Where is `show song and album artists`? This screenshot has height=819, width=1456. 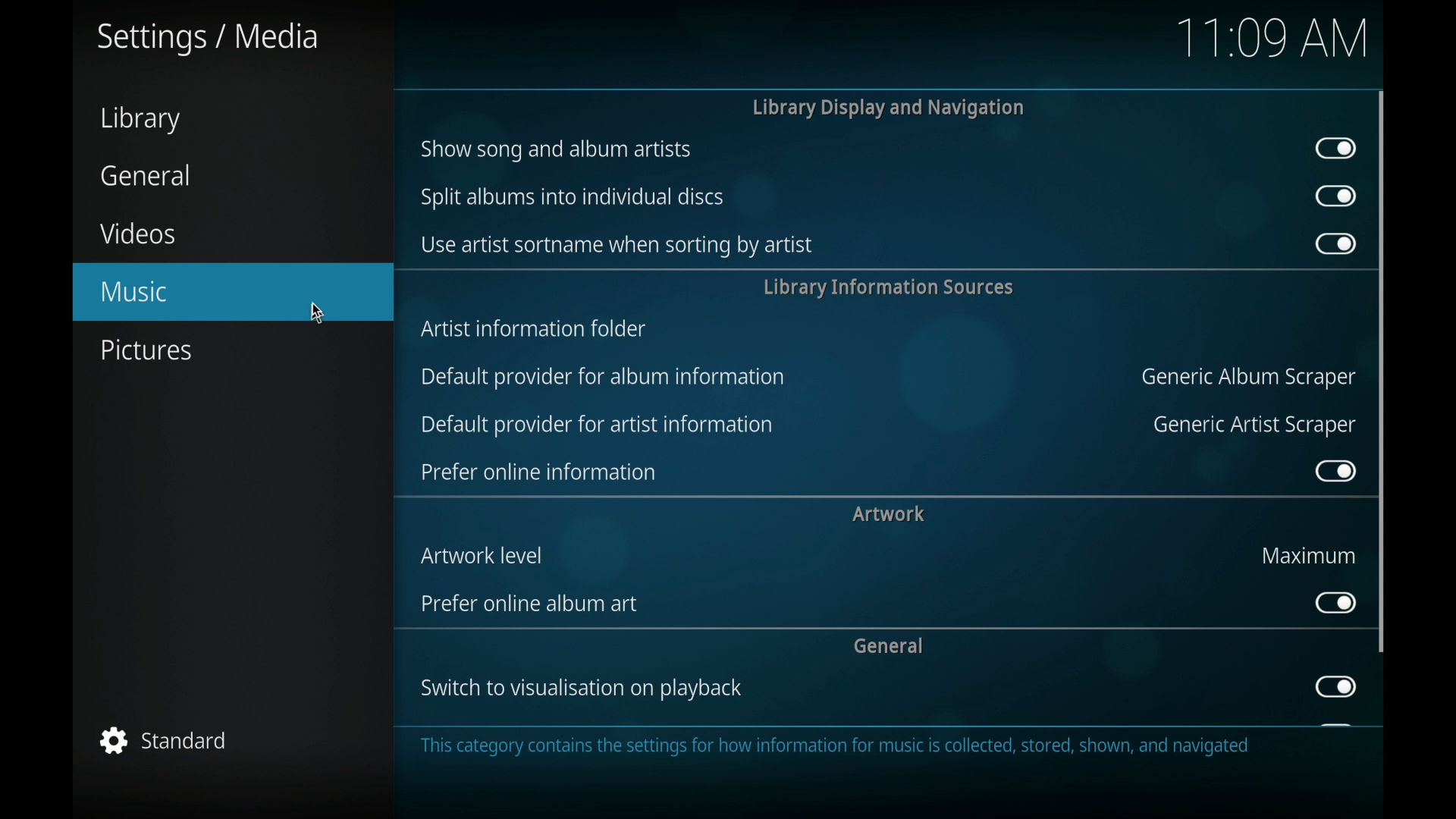 show song and album artists is located at coordinates (555, 150).